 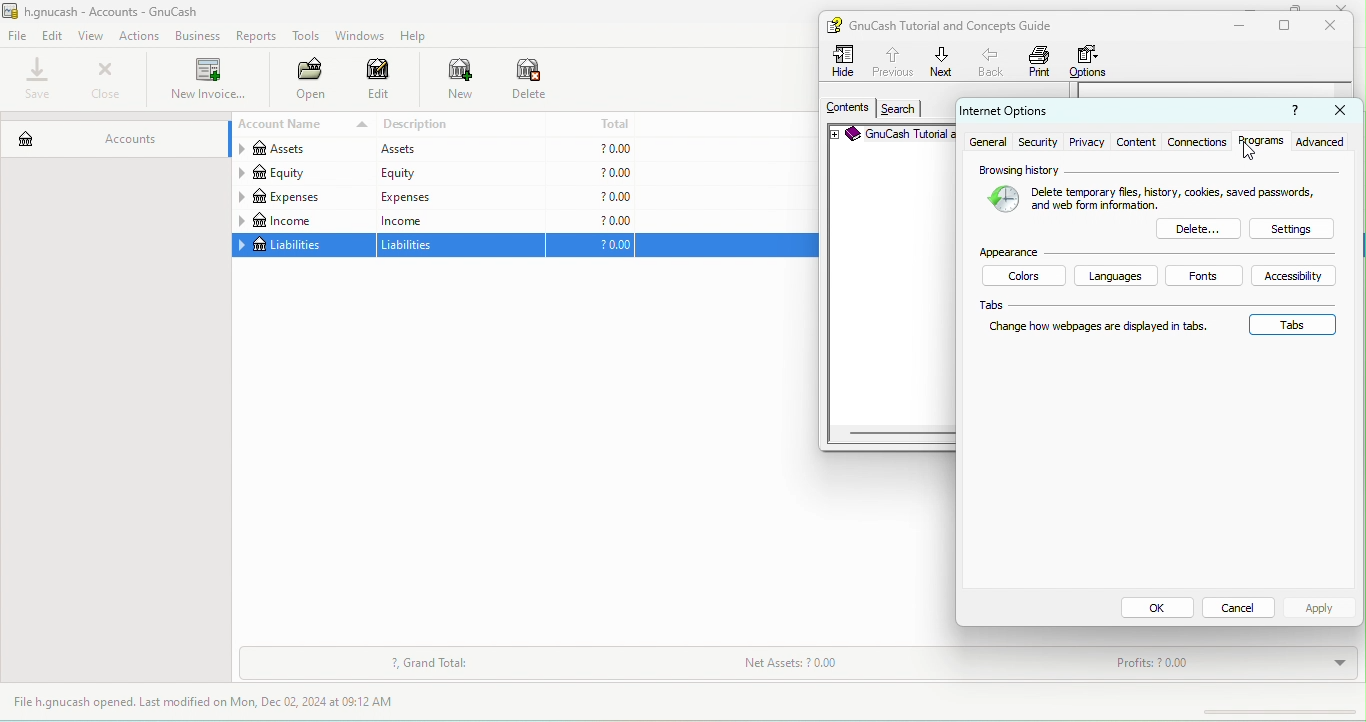 What do you see at coordinates (430, 664) in the screenshot?
I see `grand total` at bounding box center [430, 664].